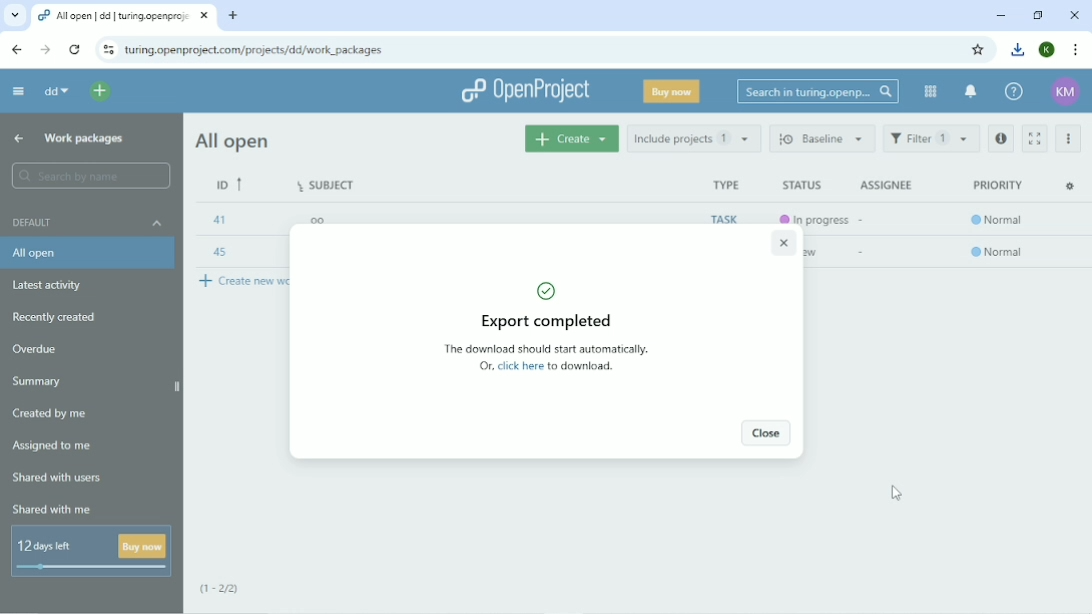 This screenshot has width=1092, height=614. What do you see at coordinates (230, 185) in the screenshot?
I see `ID` at bounding box center [230, 185].